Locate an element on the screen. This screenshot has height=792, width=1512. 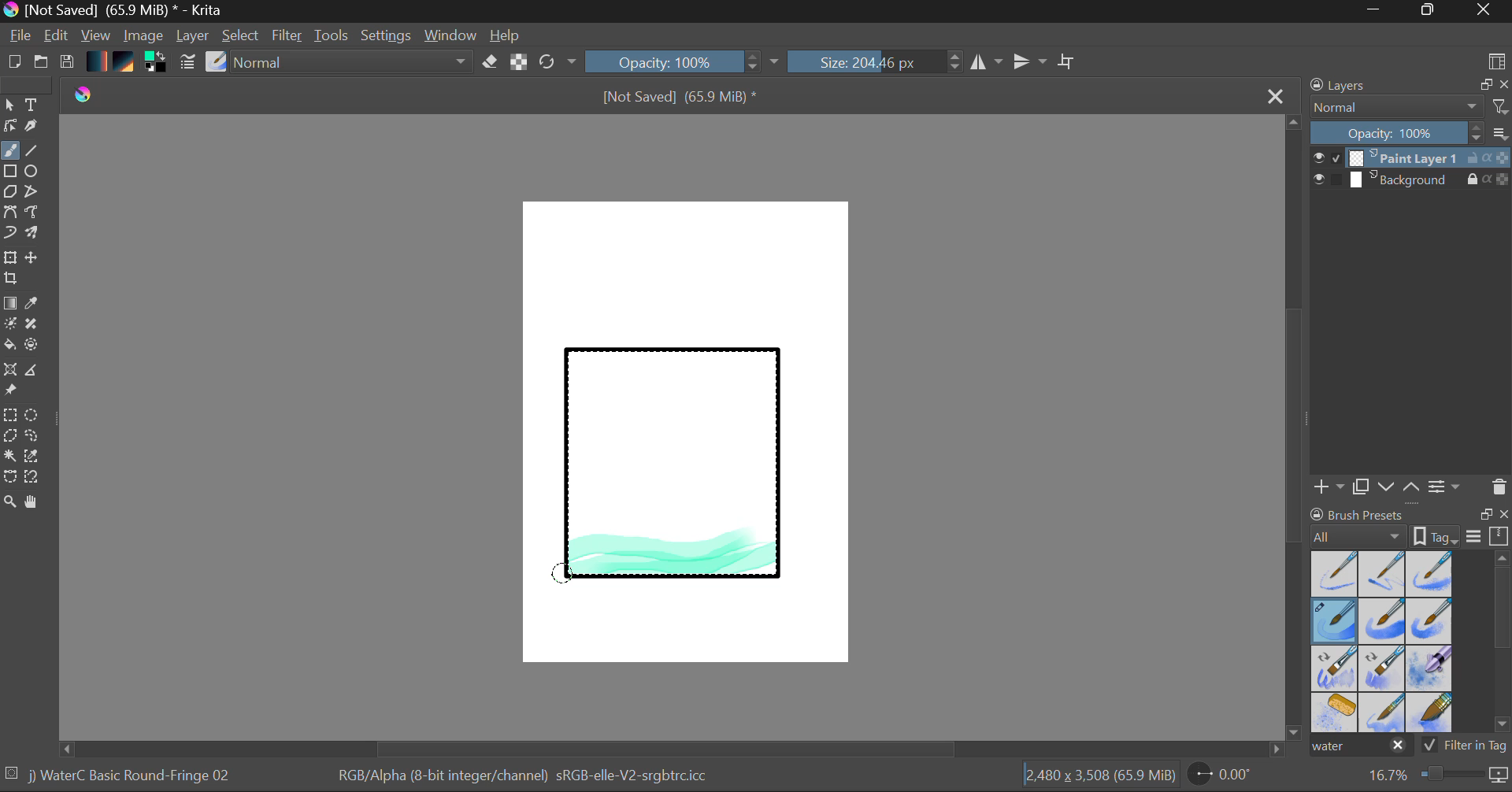
Move Layer Up is located at coordinates (1412, 486).